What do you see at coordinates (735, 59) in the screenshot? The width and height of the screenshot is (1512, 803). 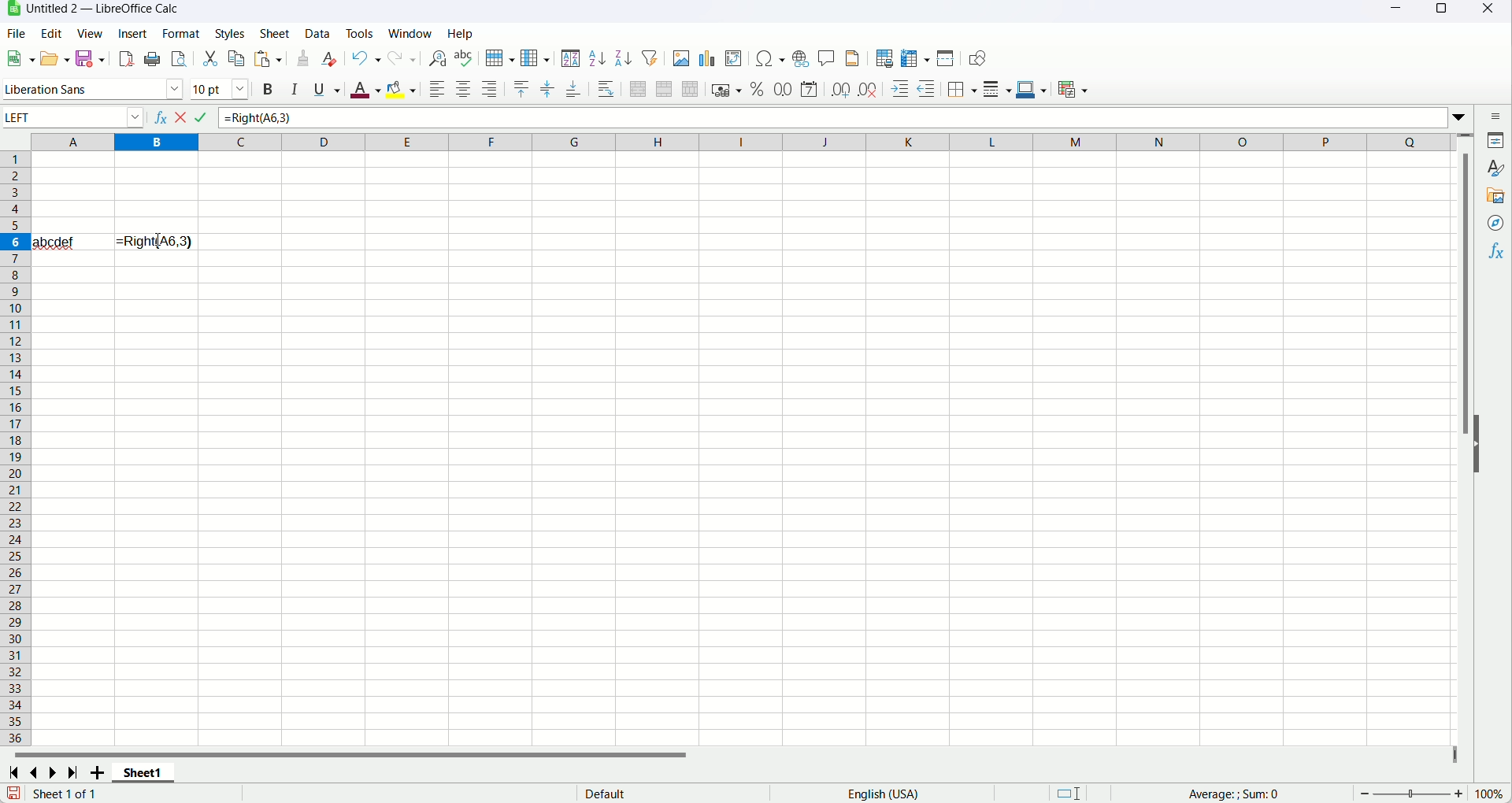 I see `insert pivot table` at bounding box center [735, 59].